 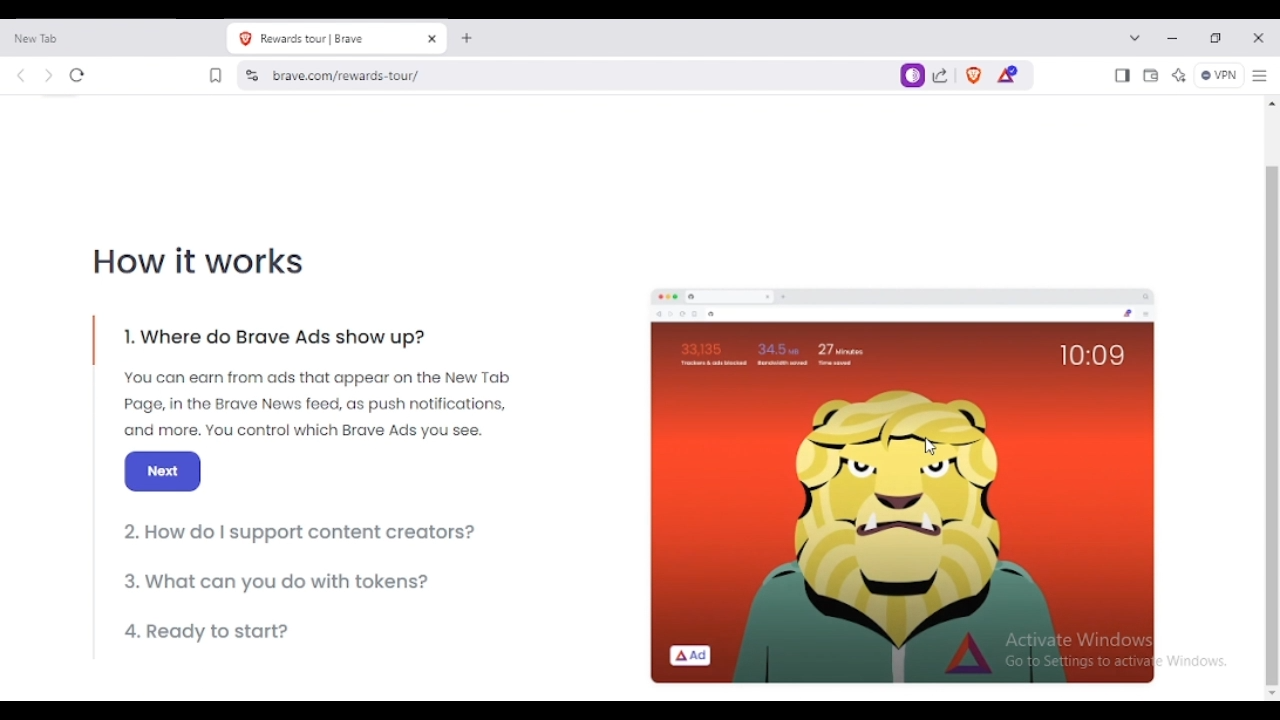 What do you see at coordinates (913, 76) in the screenshot?
I see `open in tor` at bounding box center [913, 76].